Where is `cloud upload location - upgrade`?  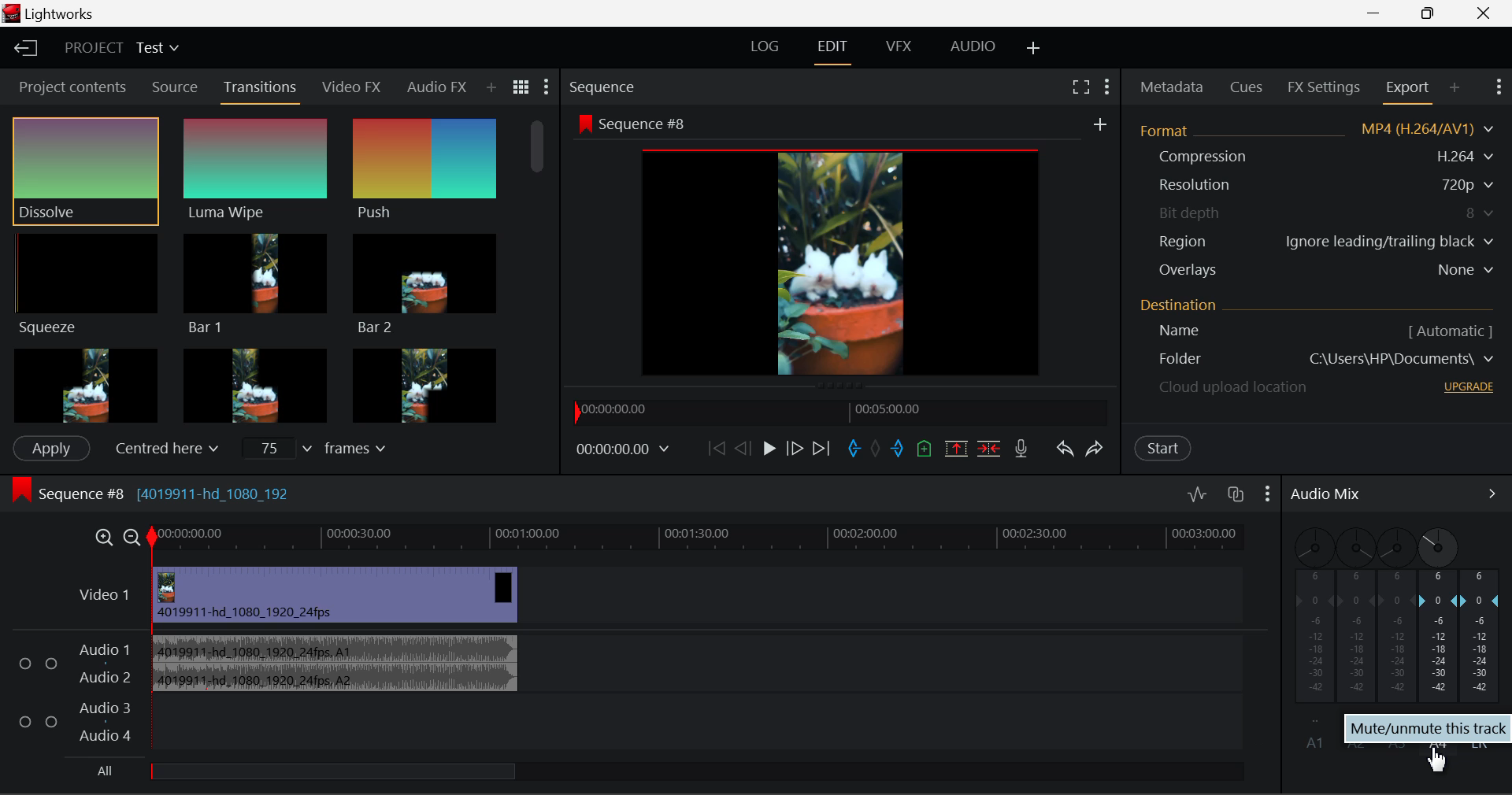
cloud upload location - upgrade is located at coordinates (1315, 386).